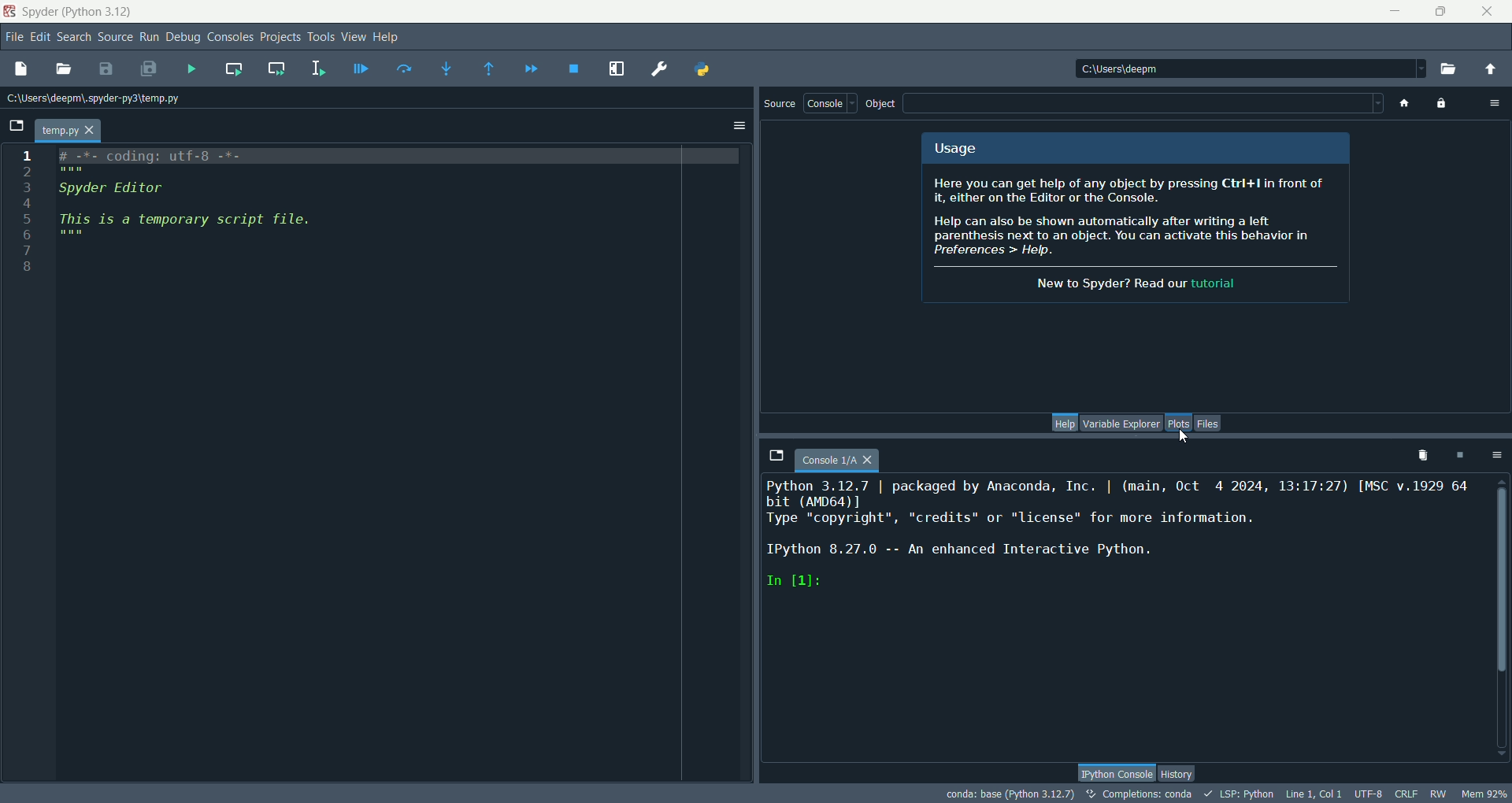 This screenshot has height=803, width=1512. I want to click on save all files, so click(150, 68).